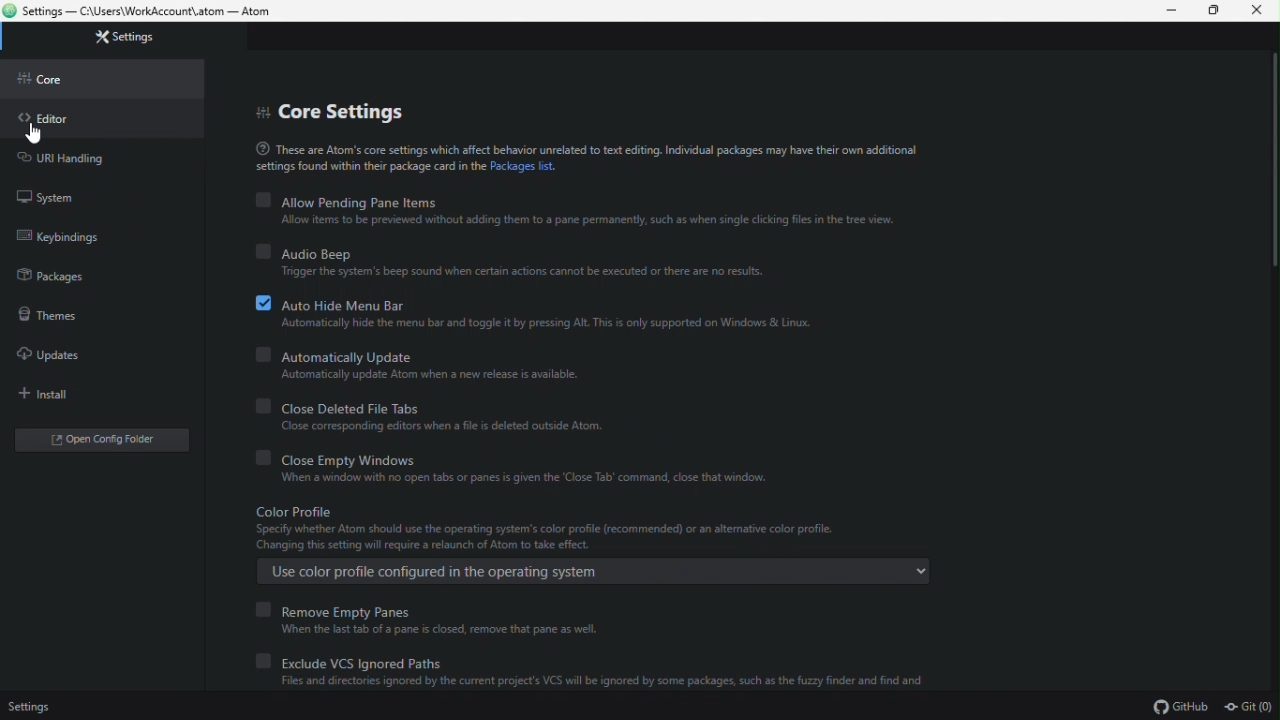 Image resolution: width=1280 pixels, height=720 pixels. I want to click on Automatically hide the menu bar and toggle it by pressing Alt. This is only supported on Windows & Linux., so click(548, 324).